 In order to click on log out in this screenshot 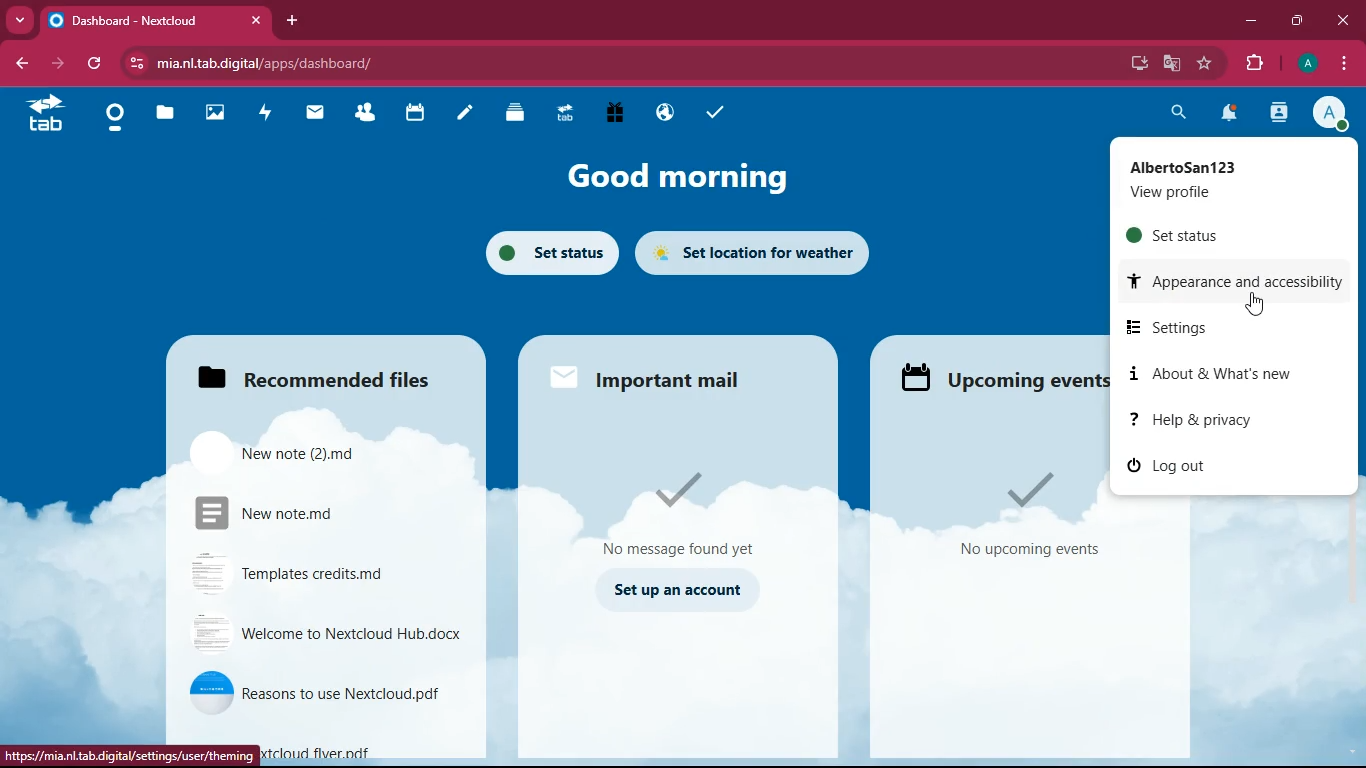, I will do `click(1224, 470)`.